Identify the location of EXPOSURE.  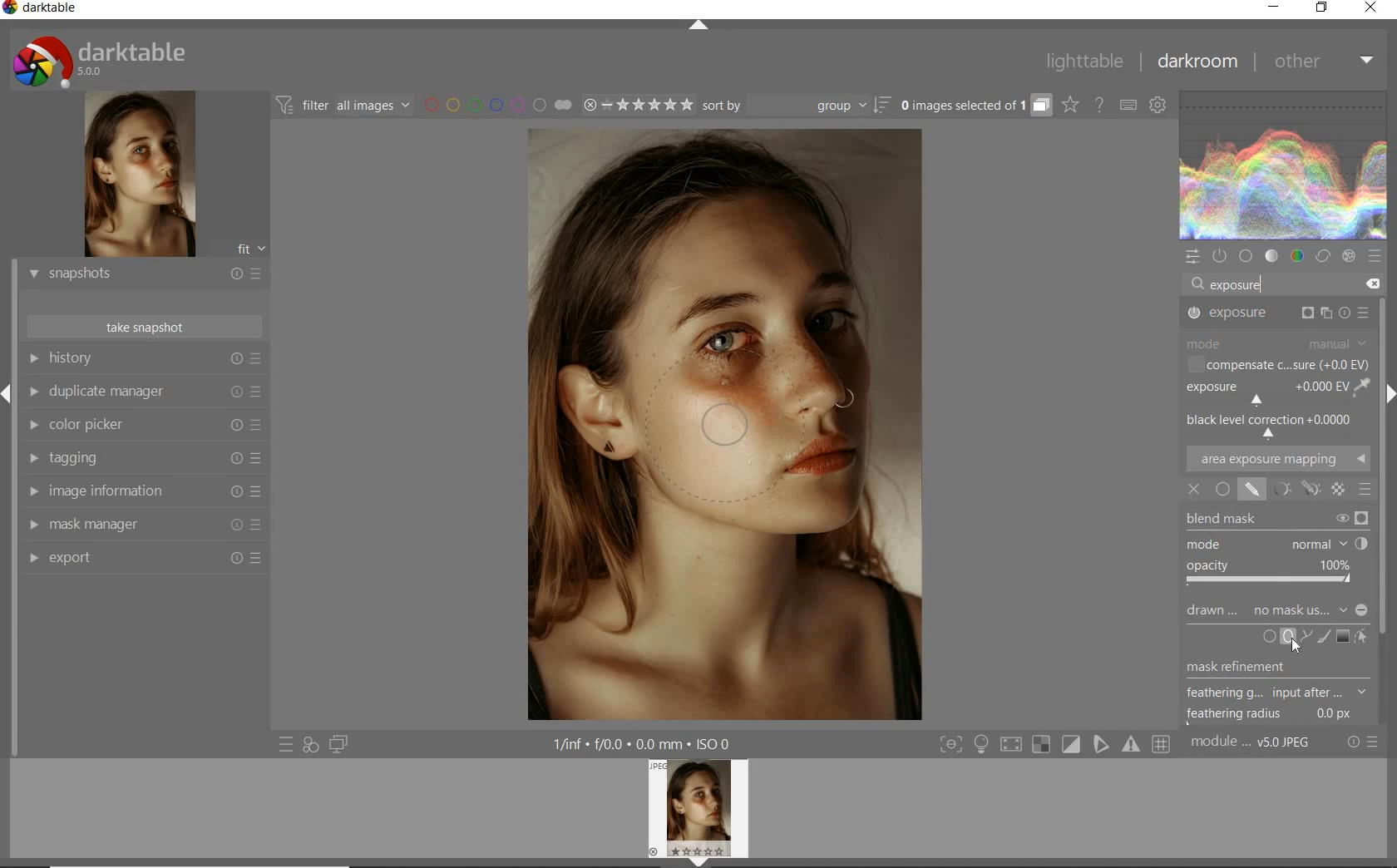
(1261, 393).